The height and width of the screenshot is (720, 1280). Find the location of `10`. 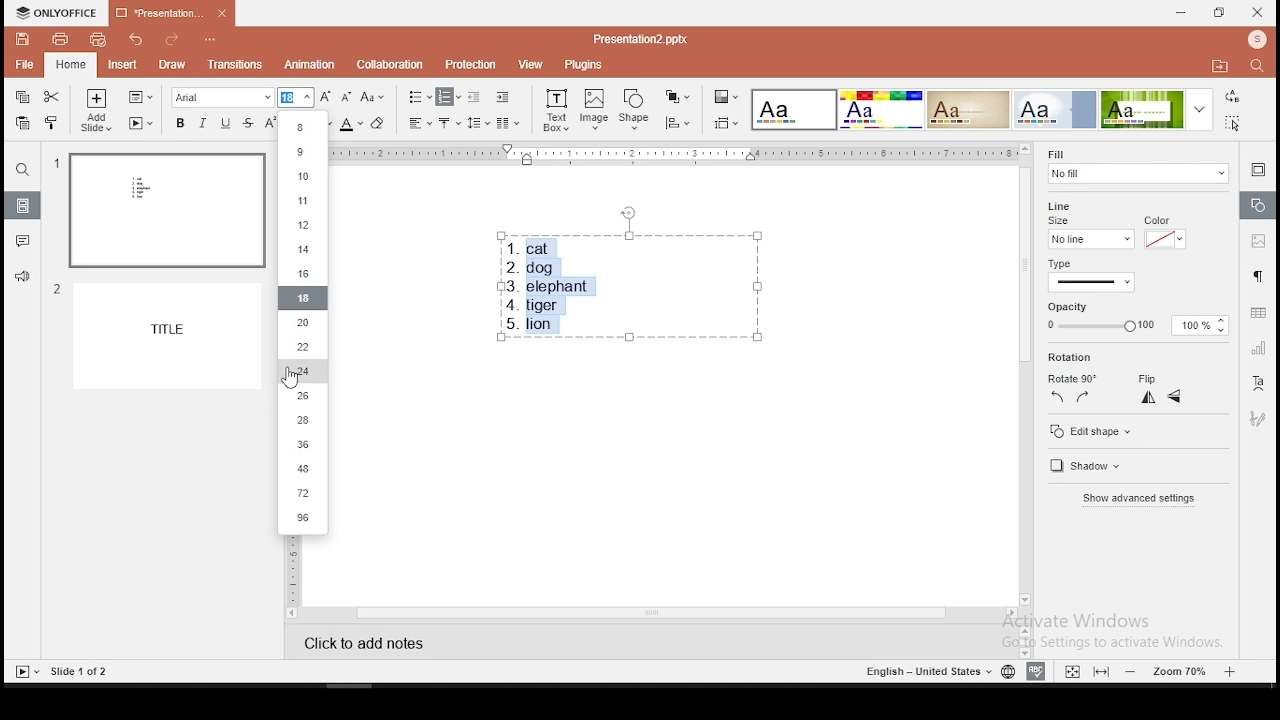

10 is located at coordinates (304, 177).